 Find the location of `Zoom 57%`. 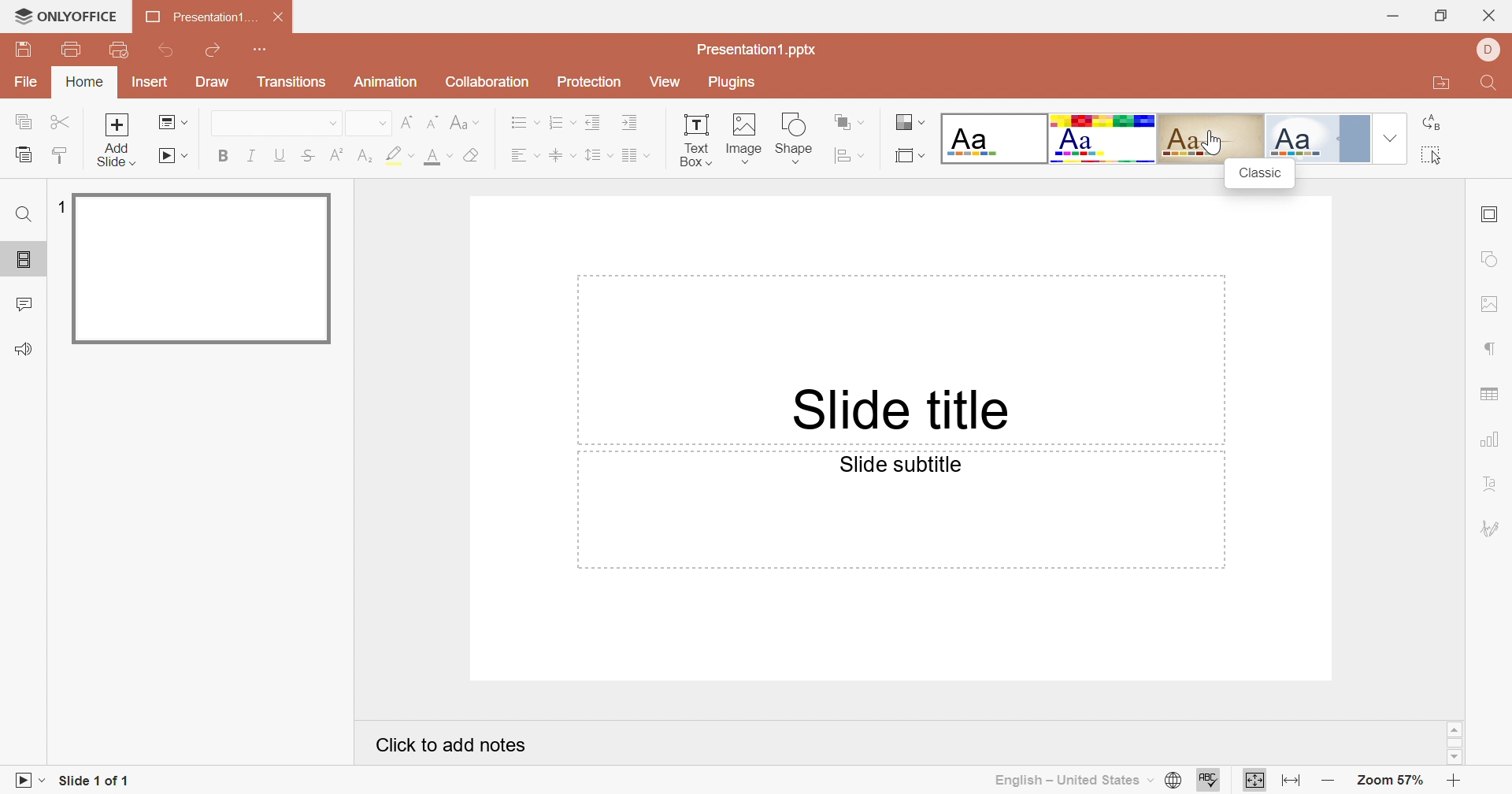

Zoom 57% is located at coordinates (1389, 781).